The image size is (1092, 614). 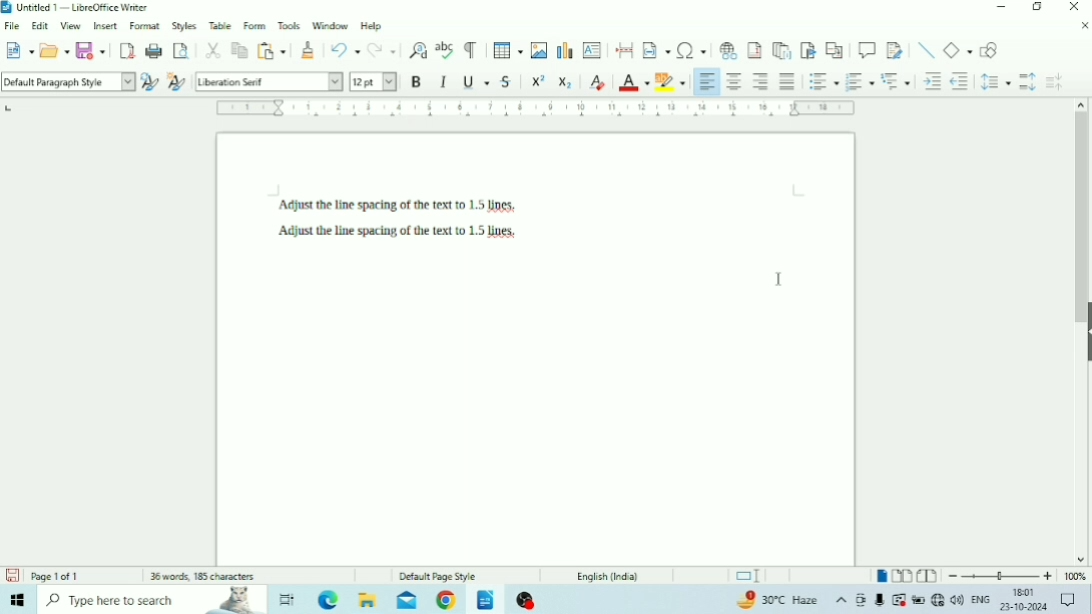 I want to click on Google Chrome, so click(x=446, y=600).